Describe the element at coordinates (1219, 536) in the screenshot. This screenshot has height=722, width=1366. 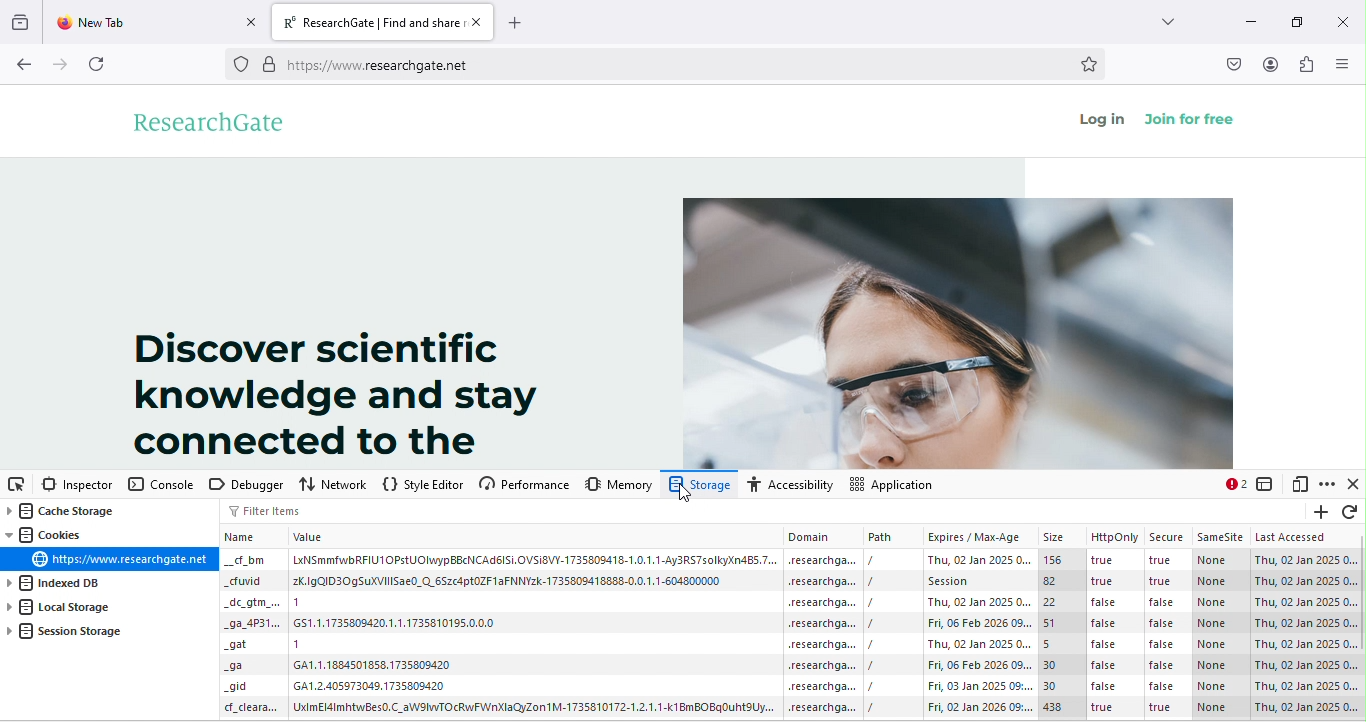
I see `samesite` at that location.